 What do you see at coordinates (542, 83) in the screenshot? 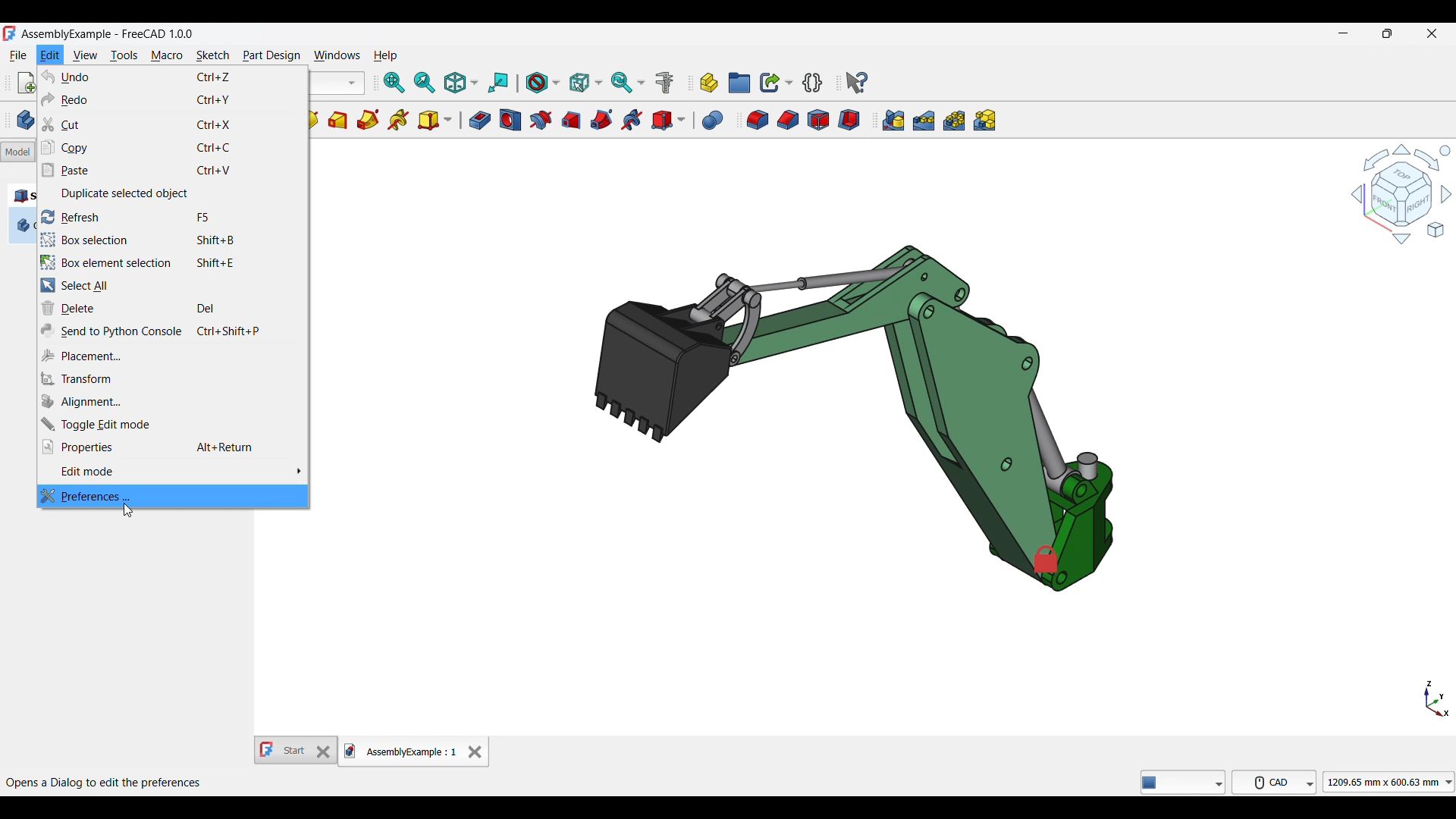
I see `Draw style options` at bounding box center [542, 83].